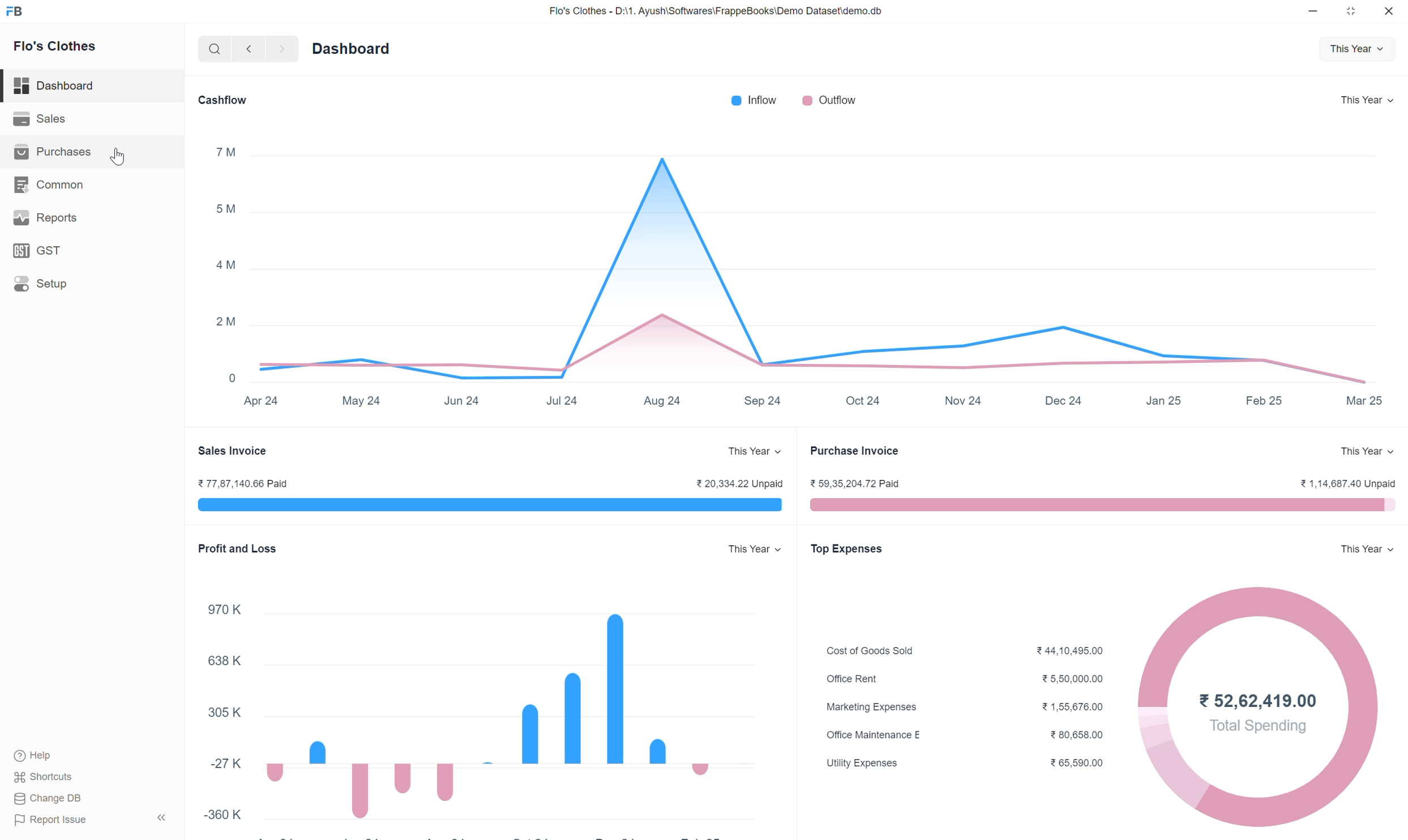  I want to click on Paid and Unpaid Purchase invoice range, so click(1103, 504).